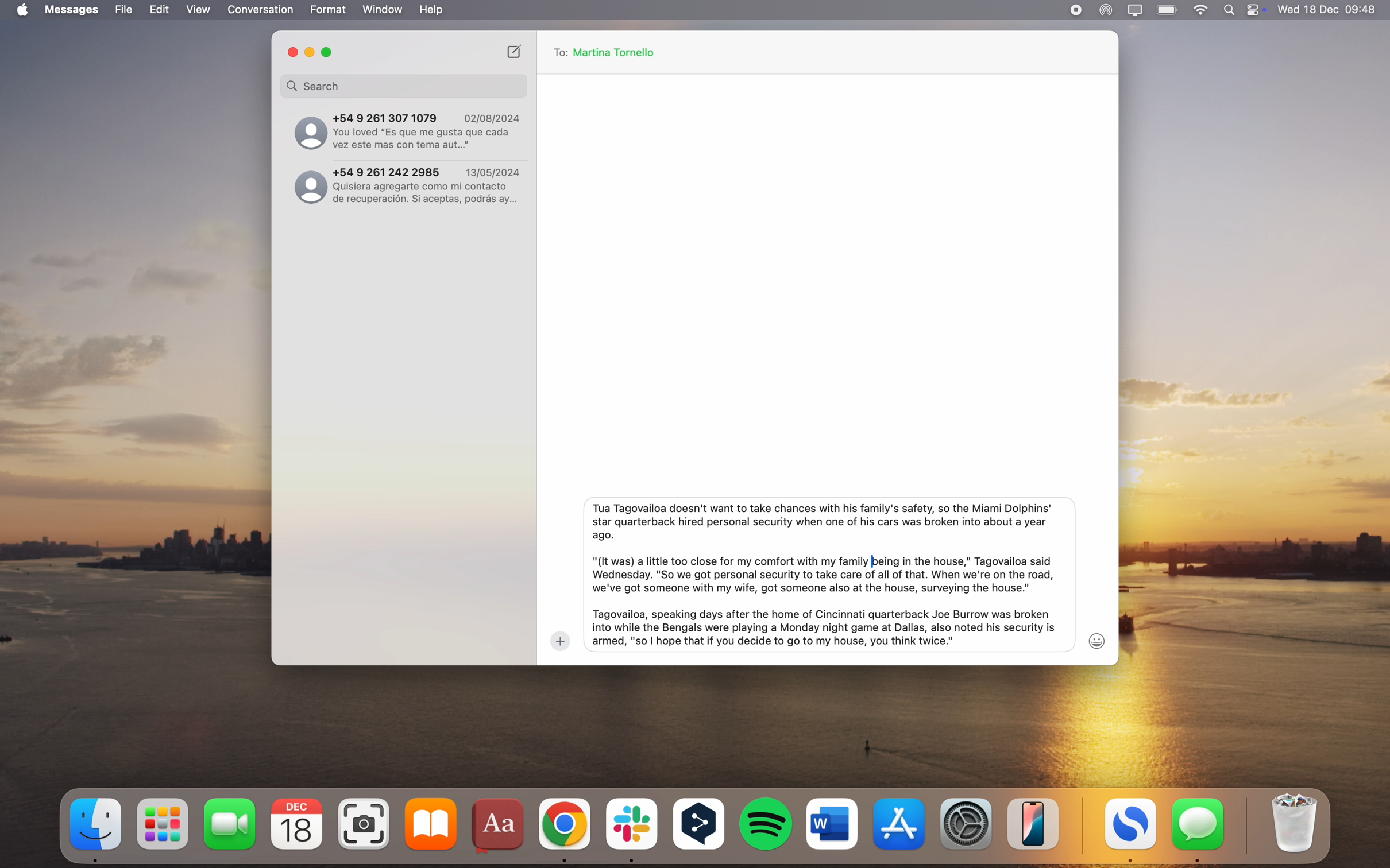 Image resolution: width=1390 pixels, height=868 pixels. Describe the element at coordinates (871, 561) in the screenshot. I see `typing cursor` at that location.